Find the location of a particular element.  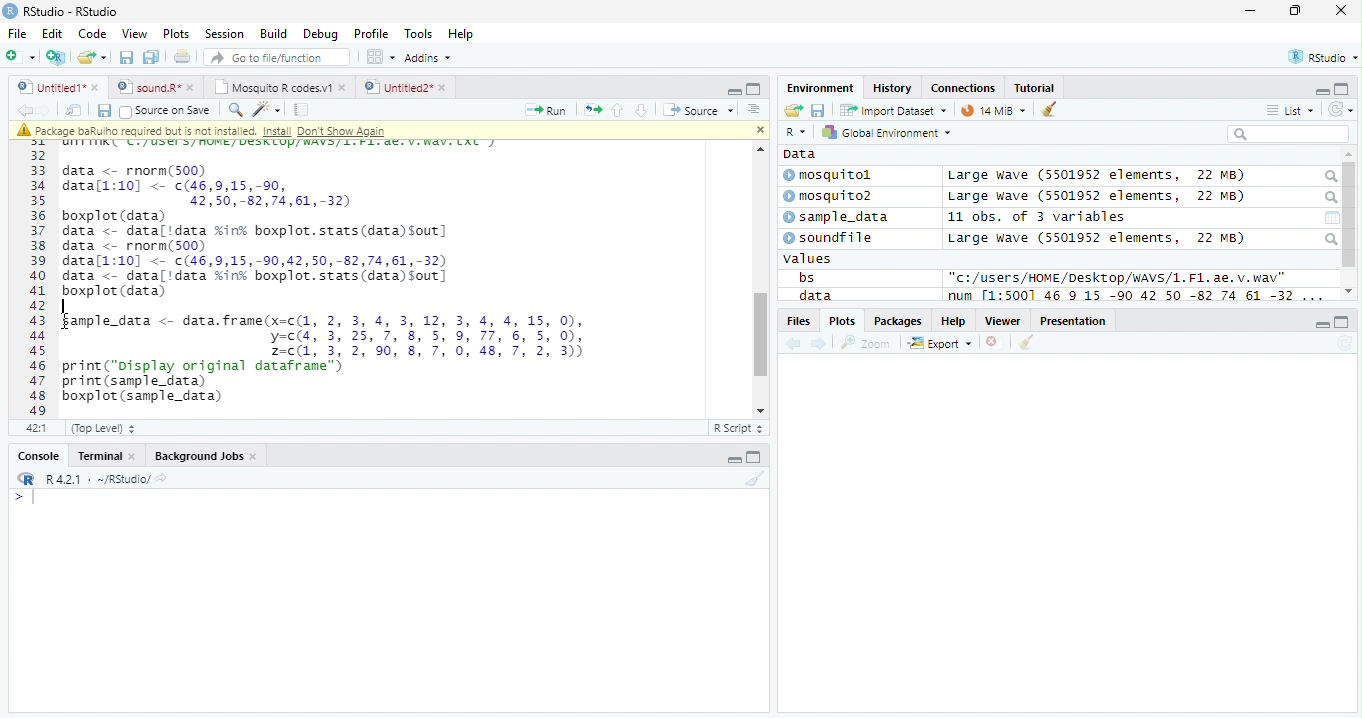

Save all the open documents is located at coordinates (151, 58).